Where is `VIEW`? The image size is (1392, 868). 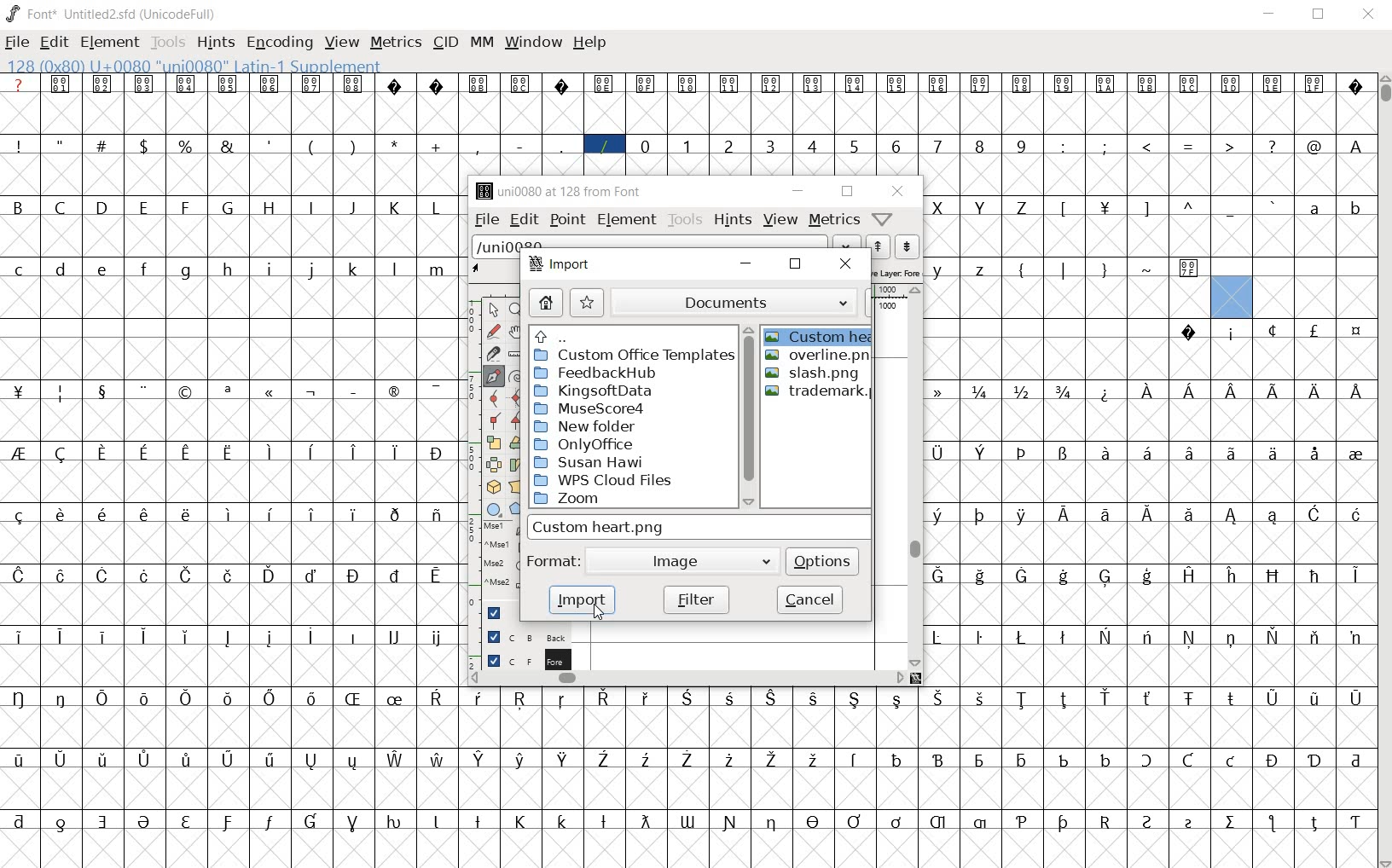 VIEW is located at coordinates (342, 40).